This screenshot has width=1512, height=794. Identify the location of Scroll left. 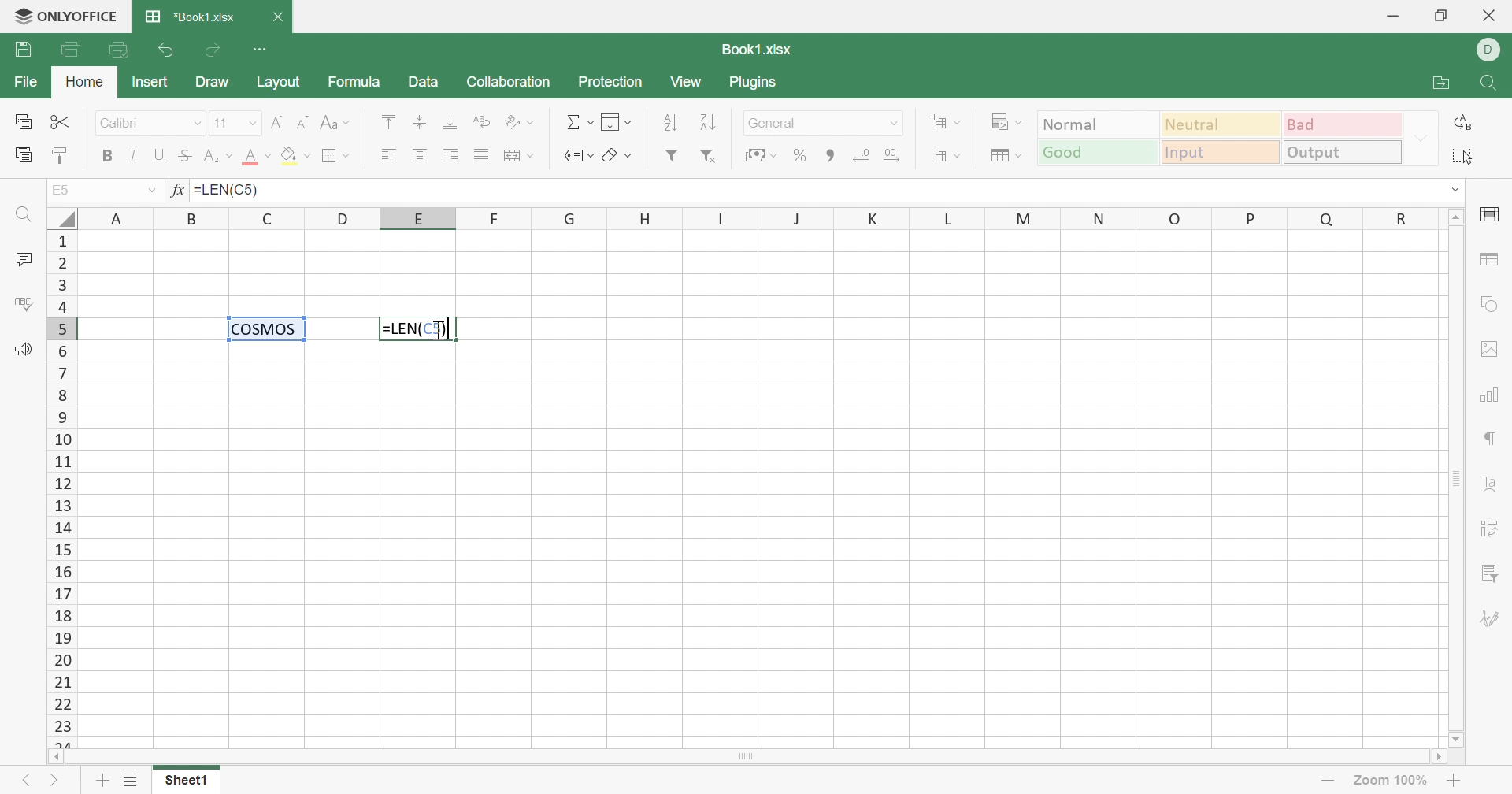
(57, 757).